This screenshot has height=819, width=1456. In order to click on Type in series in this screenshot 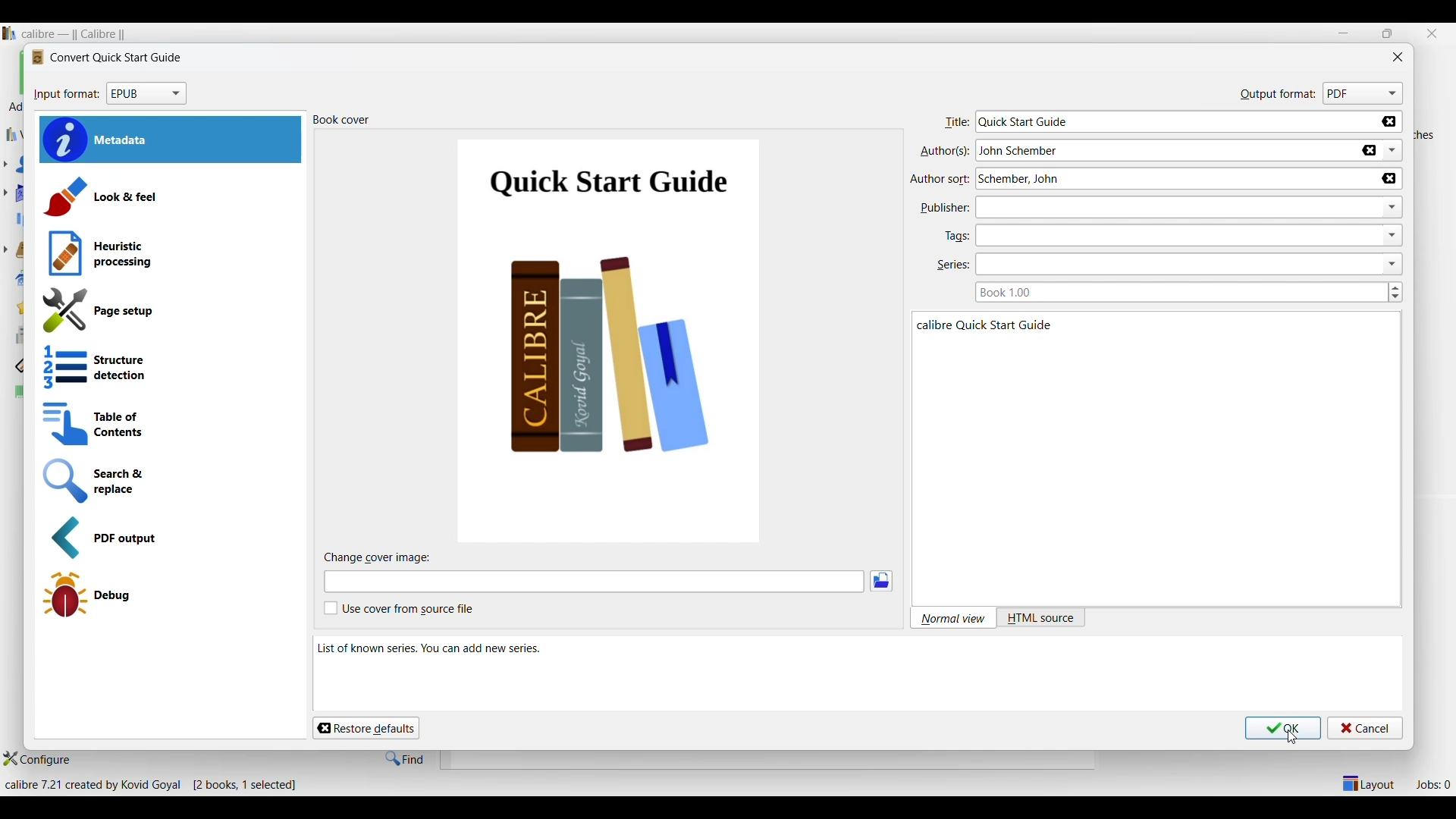, I will do `click(1153, 264)`.